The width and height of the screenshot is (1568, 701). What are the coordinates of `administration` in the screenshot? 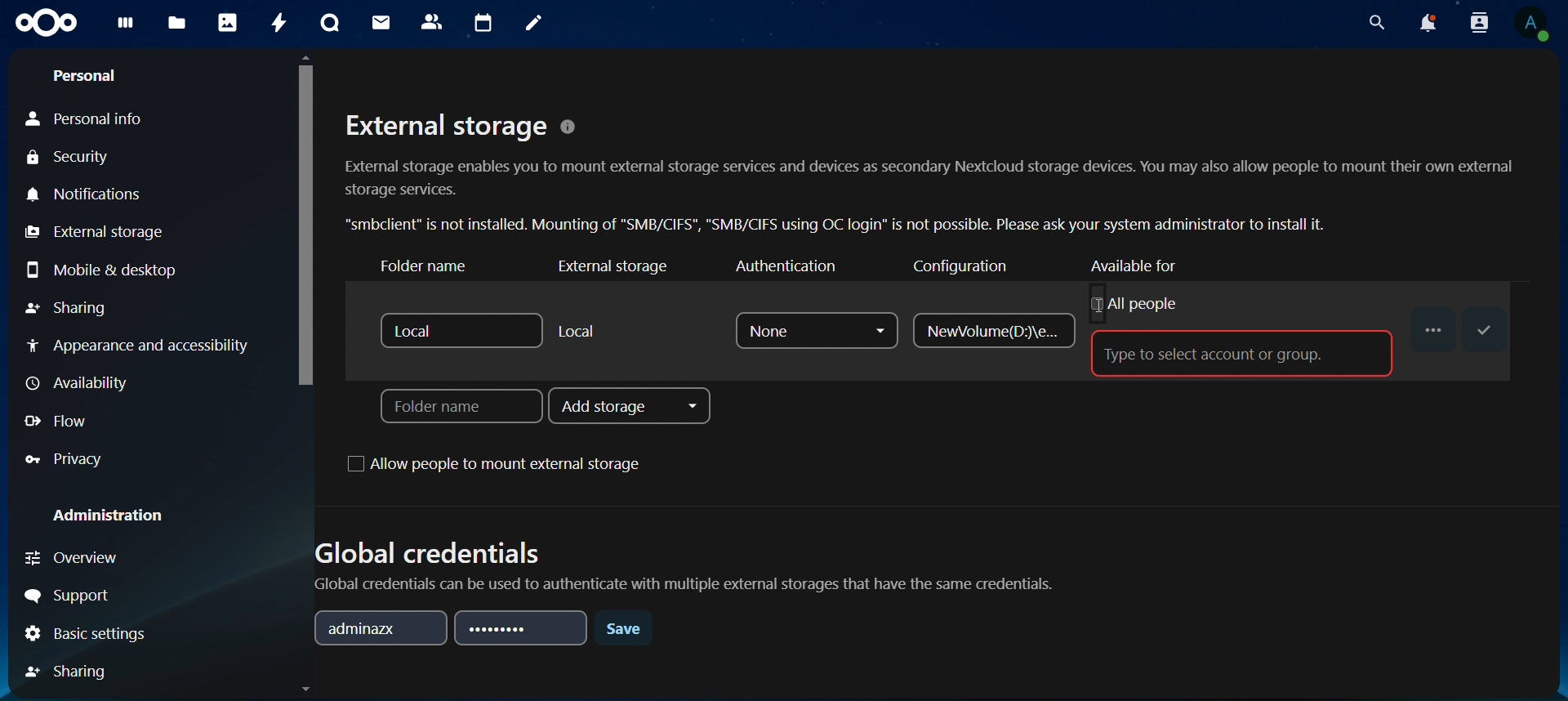 It's located at (109, 517).